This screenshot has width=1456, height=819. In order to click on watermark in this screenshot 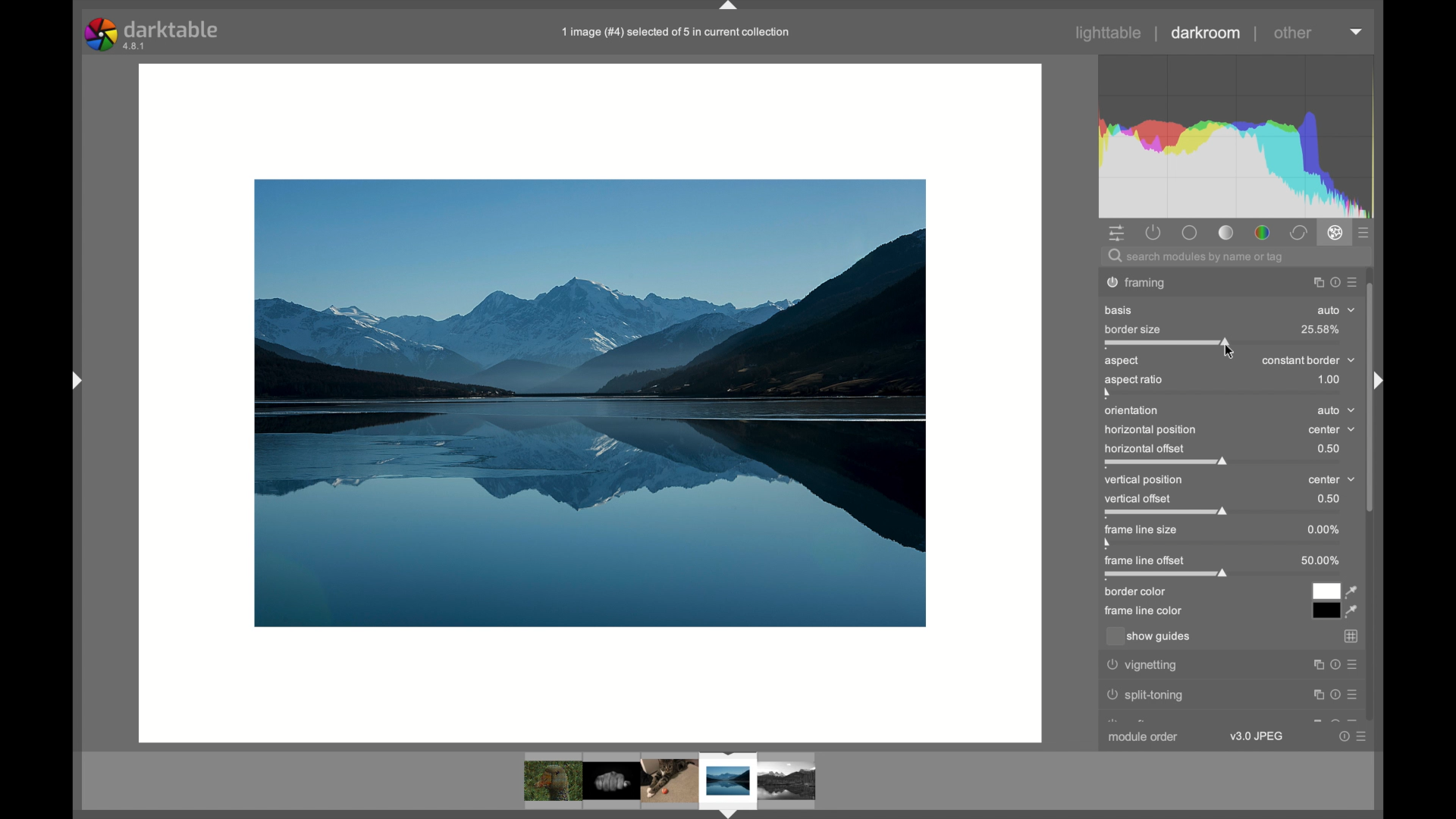, I will do `click(1145, 281)`.